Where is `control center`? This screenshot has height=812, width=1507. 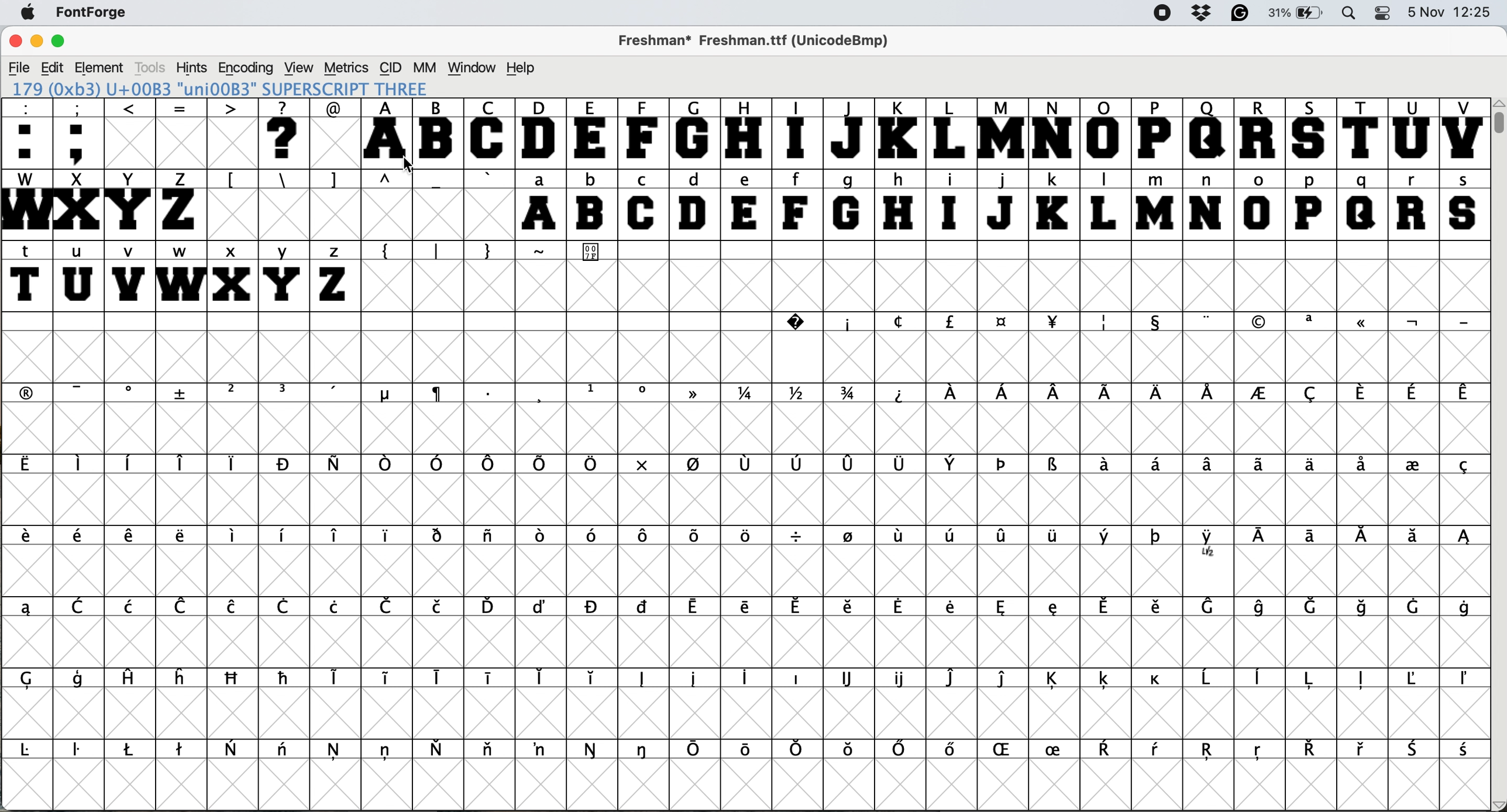
control center is located at coordinates (1384, 14).